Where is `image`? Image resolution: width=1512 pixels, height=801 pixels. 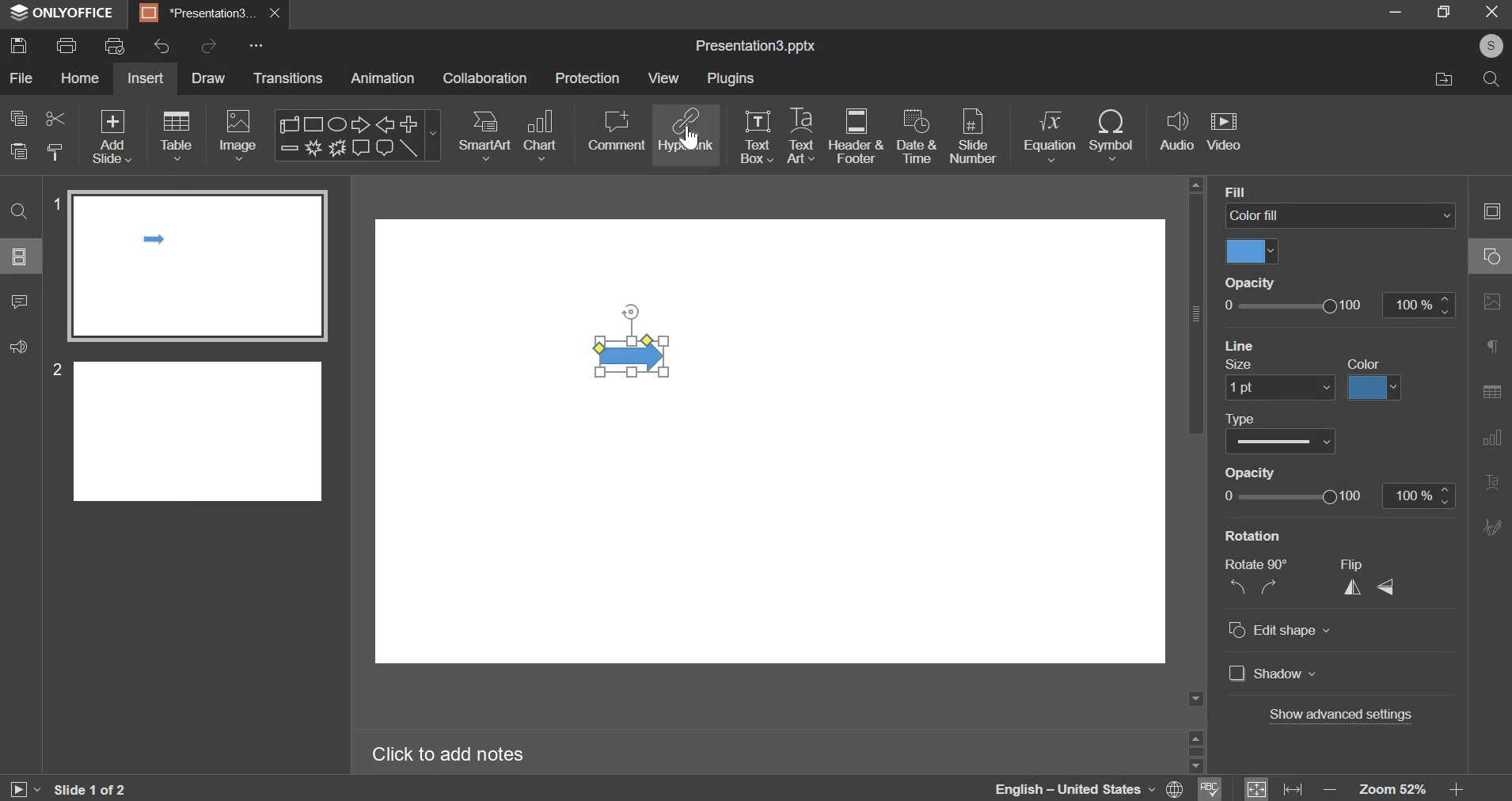 image is located at coordinates (237, 135).